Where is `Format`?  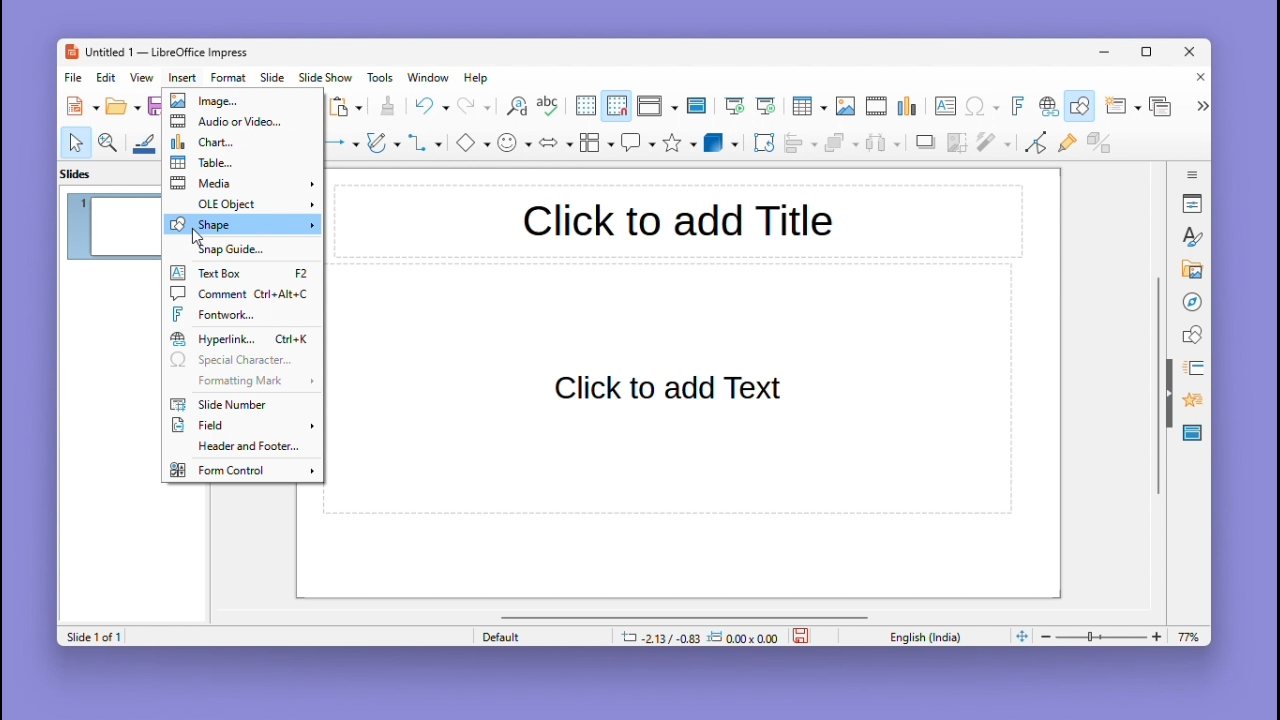
Format is located at coordinates (229, 77).